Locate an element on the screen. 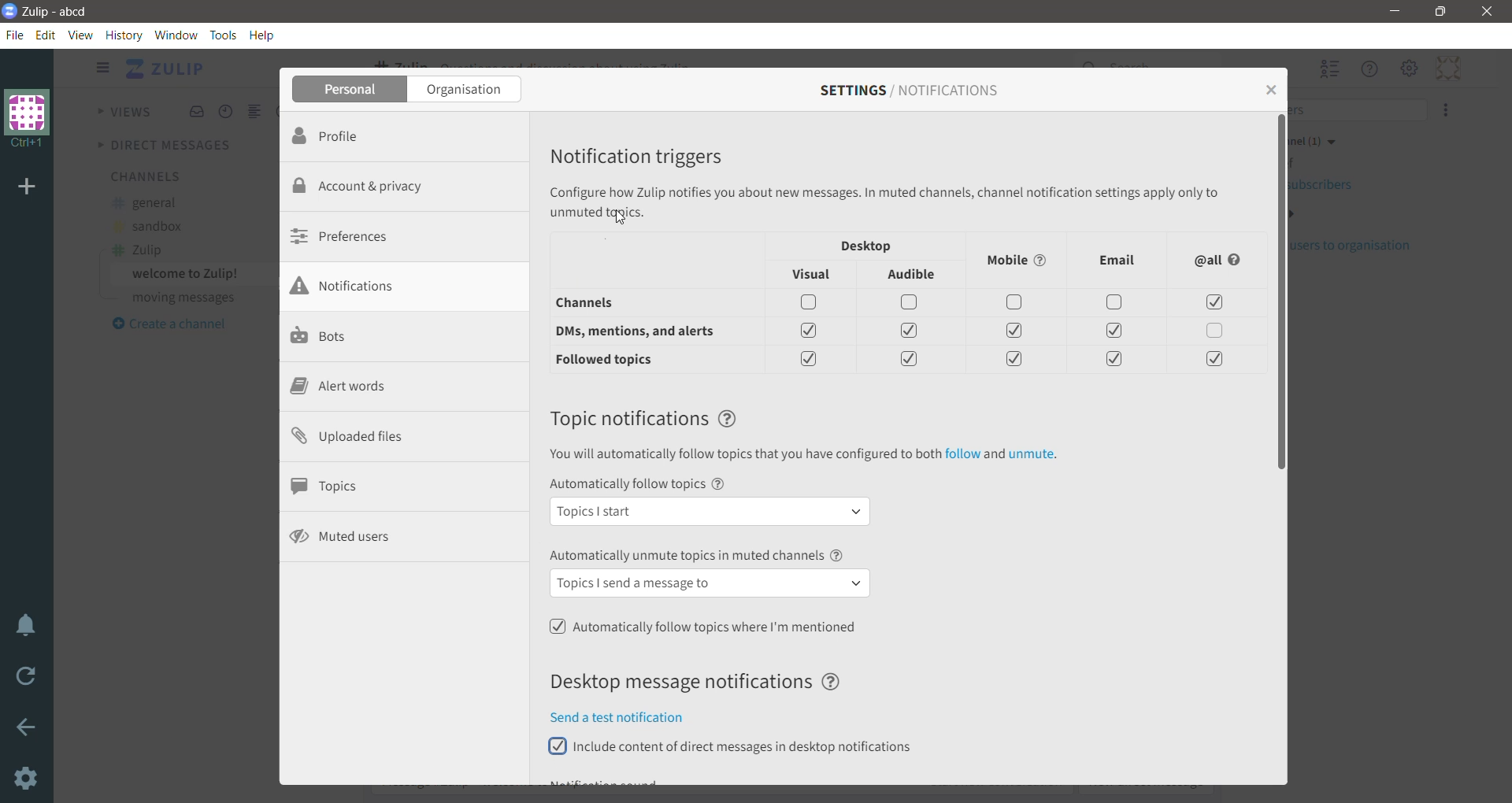 The height and width of the screenshot is (803, 1512). Organisation is located at coordinates (466, 90).